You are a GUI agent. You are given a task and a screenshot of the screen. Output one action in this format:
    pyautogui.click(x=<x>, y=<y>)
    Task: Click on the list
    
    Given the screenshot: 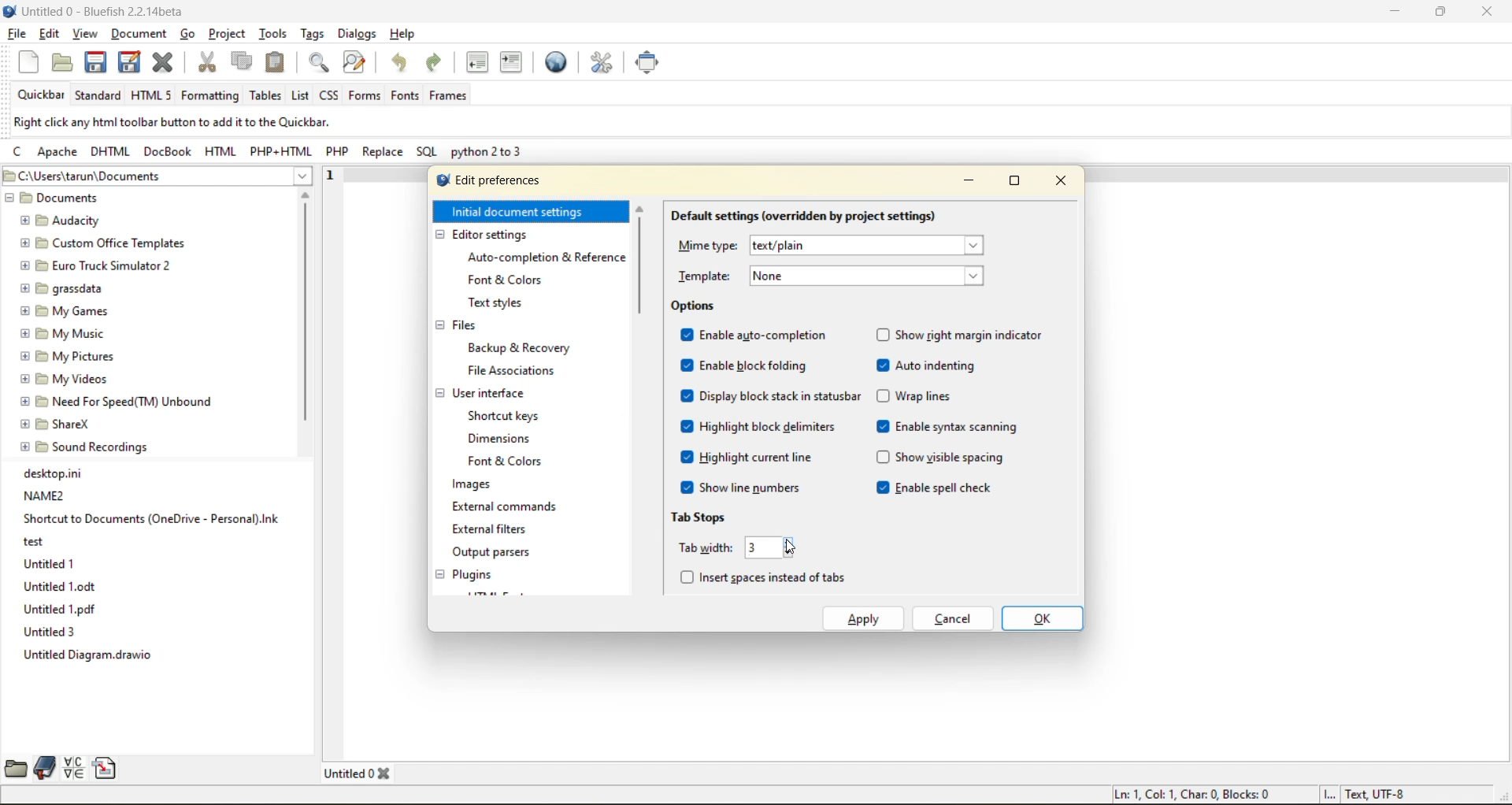 What is the action you would take?
    pyautogui.click(x=301, y=96)
    